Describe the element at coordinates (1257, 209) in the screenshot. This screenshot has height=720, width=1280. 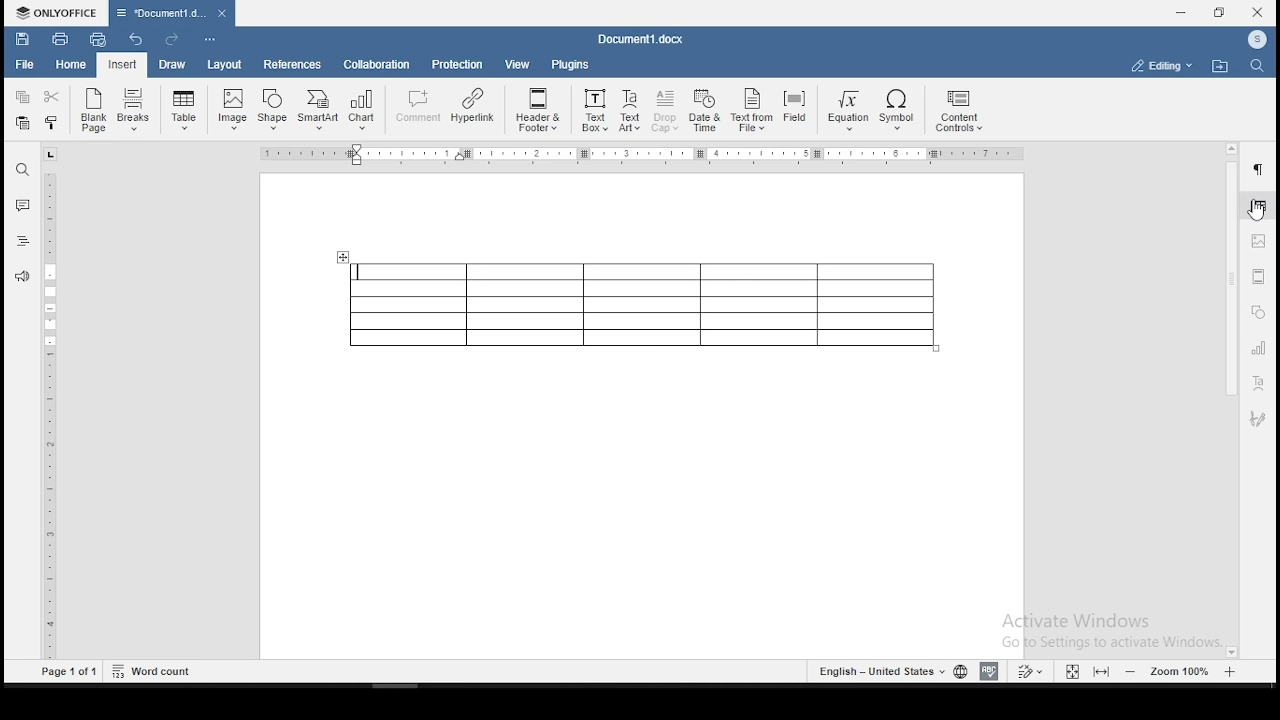
I see `cursor` at that location.